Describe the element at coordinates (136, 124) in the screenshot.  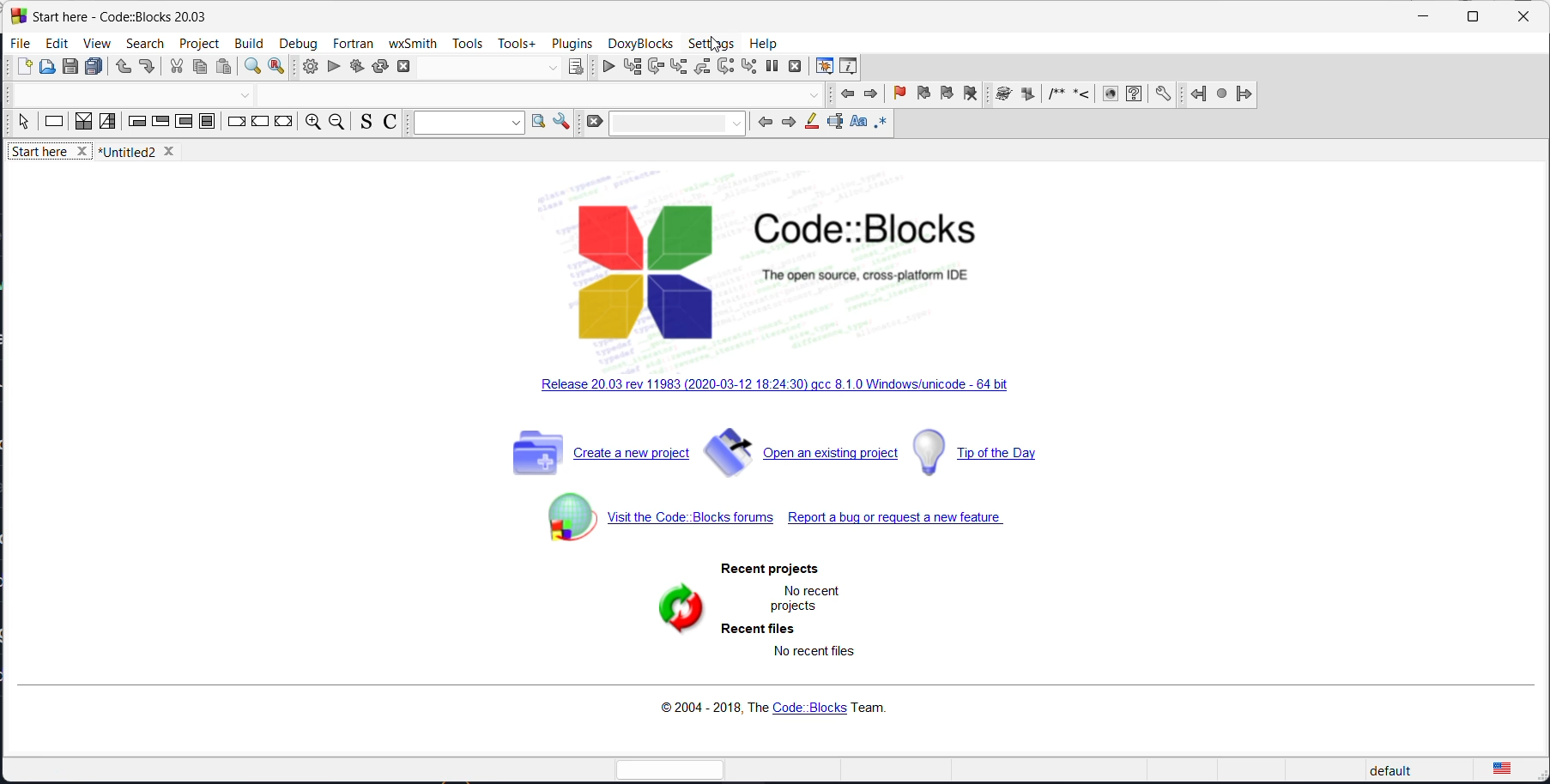
I see `entry condition loop` at that location.